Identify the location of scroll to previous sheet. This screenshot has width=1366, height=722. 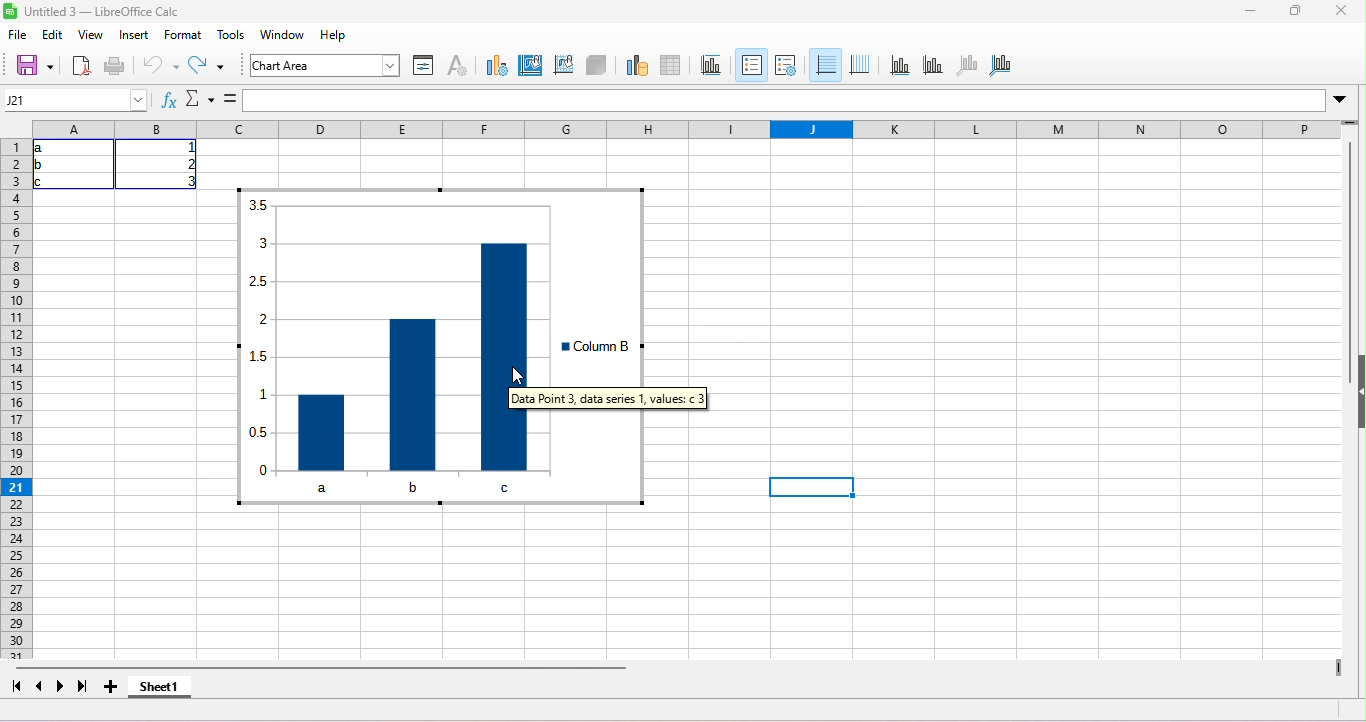
(41, 687).